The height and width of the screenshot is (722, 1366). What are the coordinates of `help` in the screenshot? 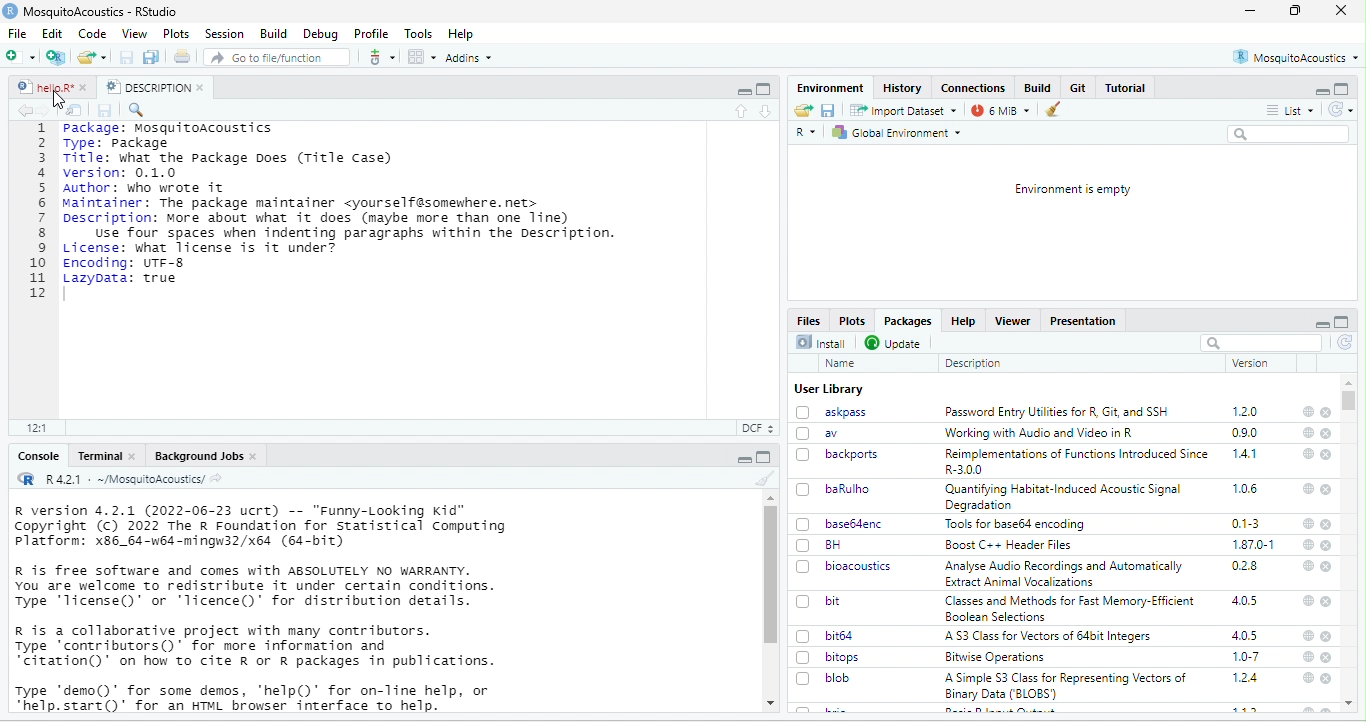 It's located at (1309, 411).